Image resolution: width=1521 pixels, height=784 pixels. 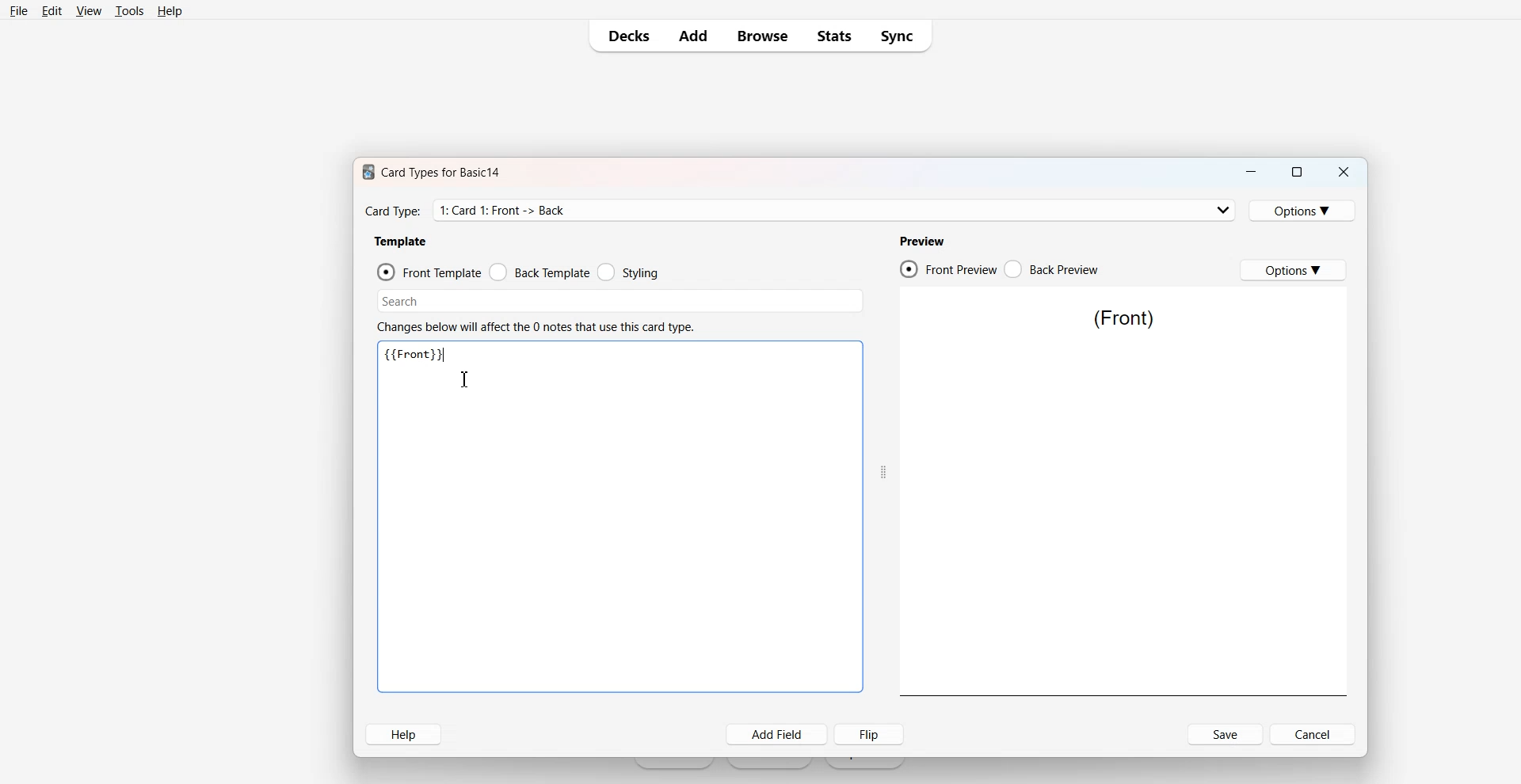 What do you see at coordinates (429, 272) in the screenshot?
I see `Front Template` at bounding box center [429, 272].